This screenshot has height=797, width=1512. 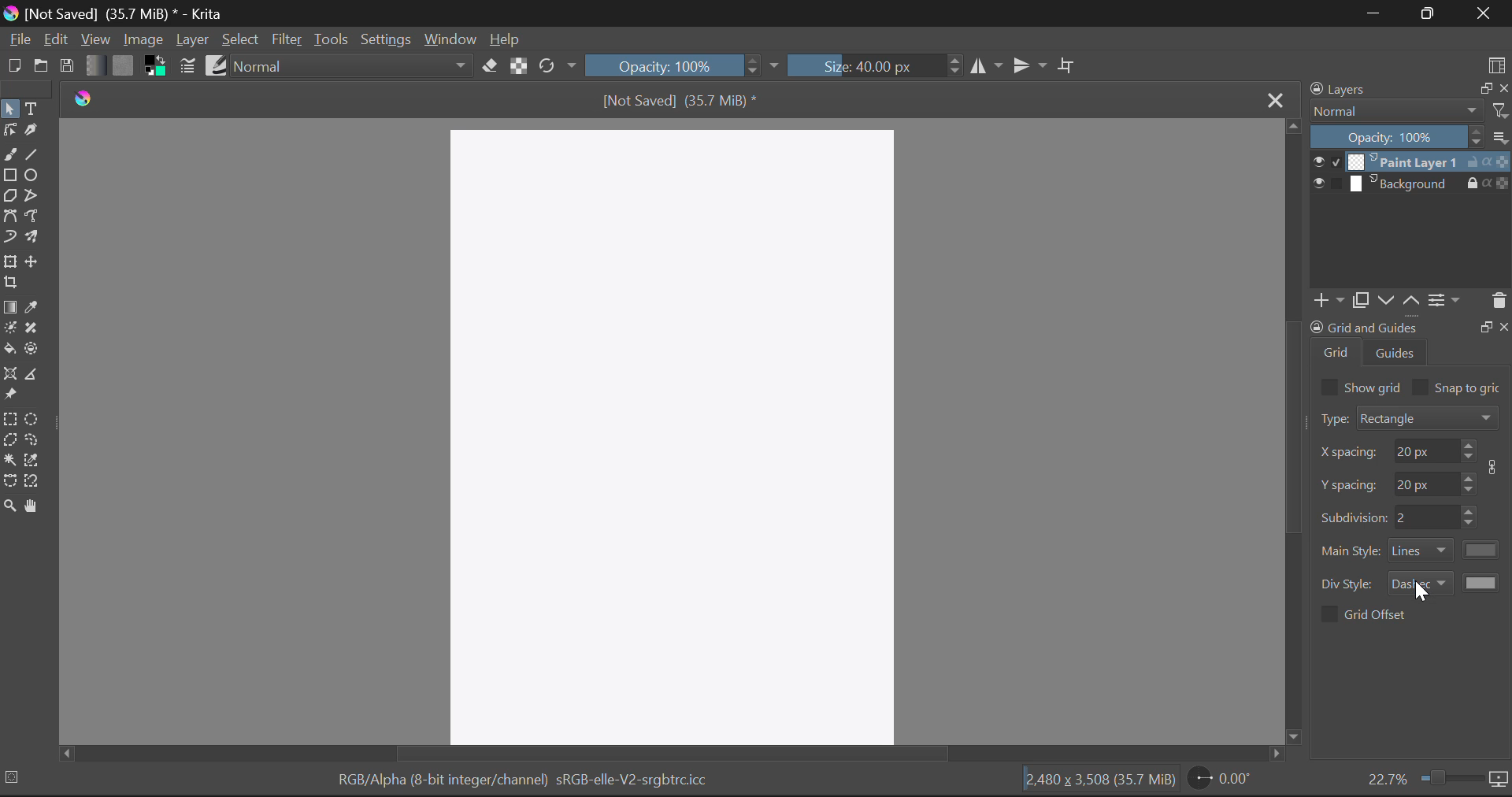 I want to click on Pattern, so click(x=124, y=65).